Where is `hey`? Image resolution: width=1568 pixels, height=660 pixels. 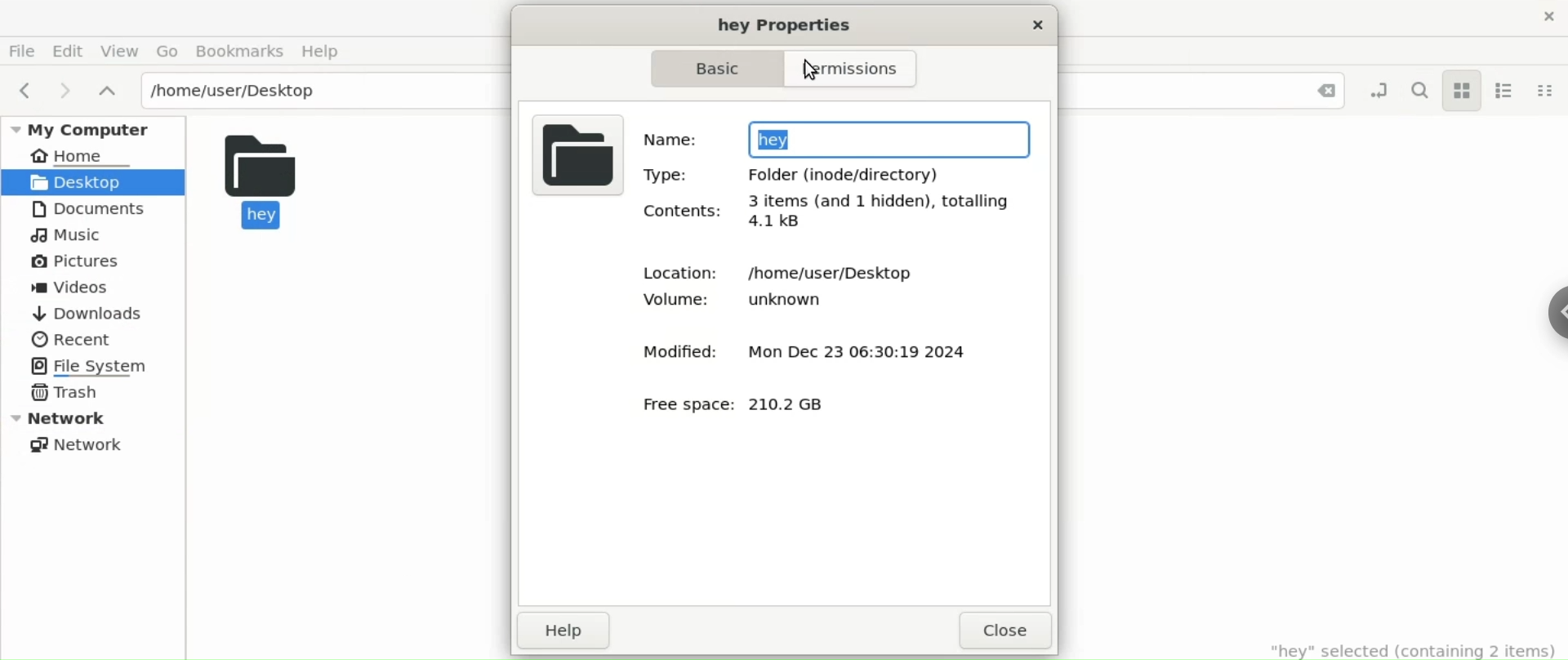 hey is located at coordinates (283, 185).